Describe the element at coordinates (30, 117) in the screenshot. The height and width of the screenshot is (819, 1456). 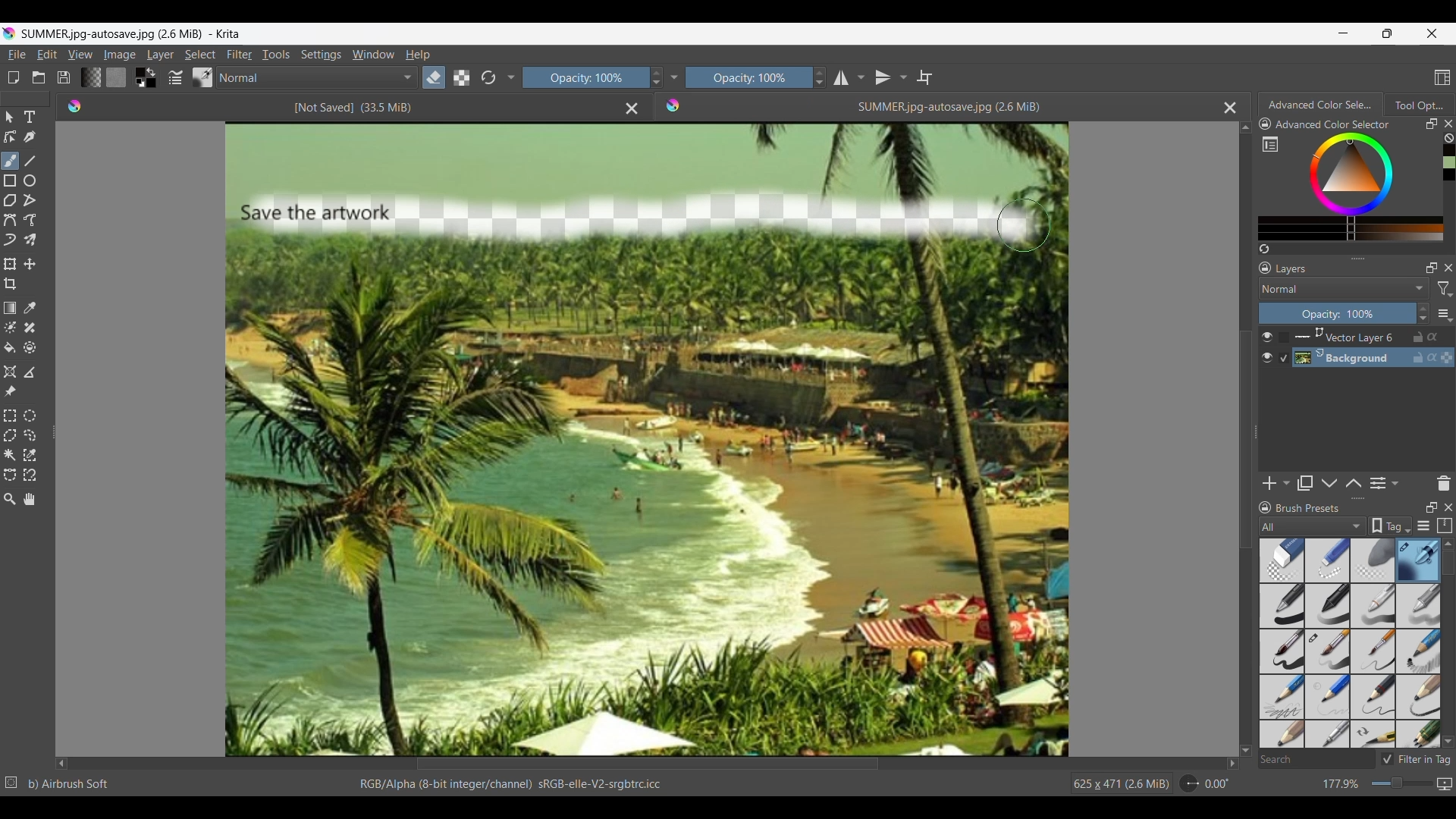
I see `Type tool` at that location.